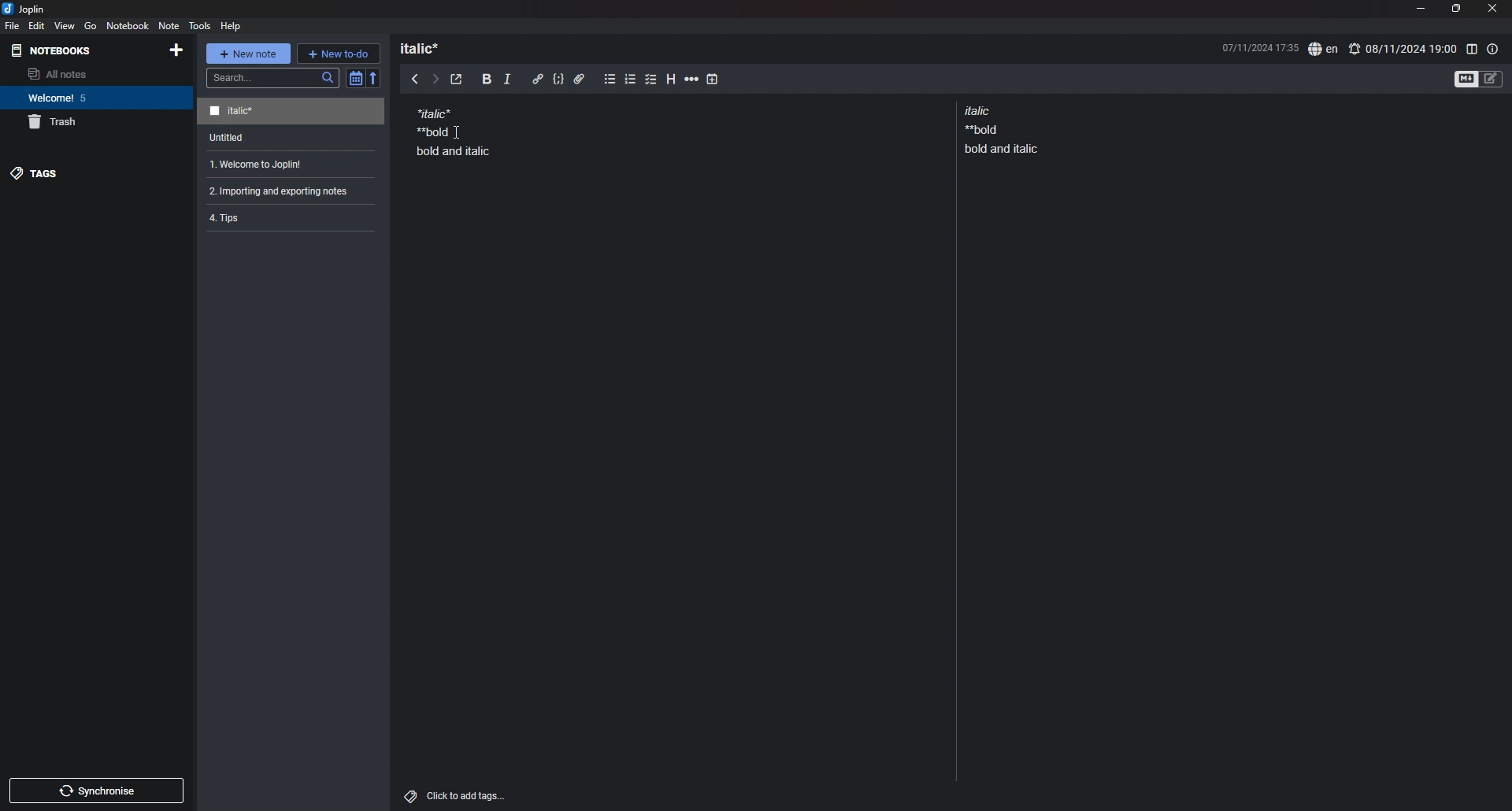  What do you see at coordinates (355, 78) in the screenshot?
I see `toggle sort order` at bounding box center [355, 78].